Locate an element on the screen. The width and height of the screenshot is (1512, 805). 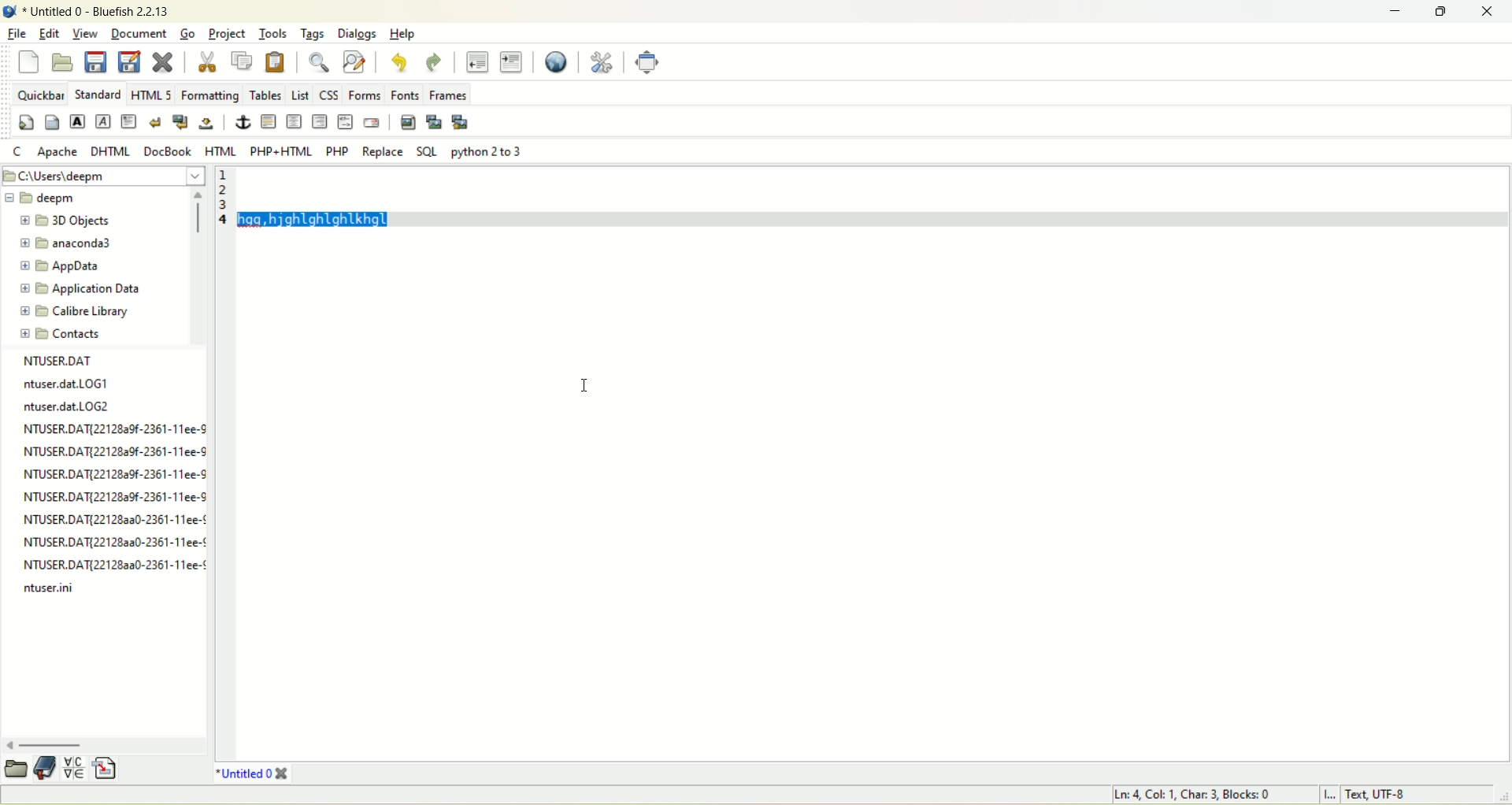
standard is located at coordinates (98, 95).